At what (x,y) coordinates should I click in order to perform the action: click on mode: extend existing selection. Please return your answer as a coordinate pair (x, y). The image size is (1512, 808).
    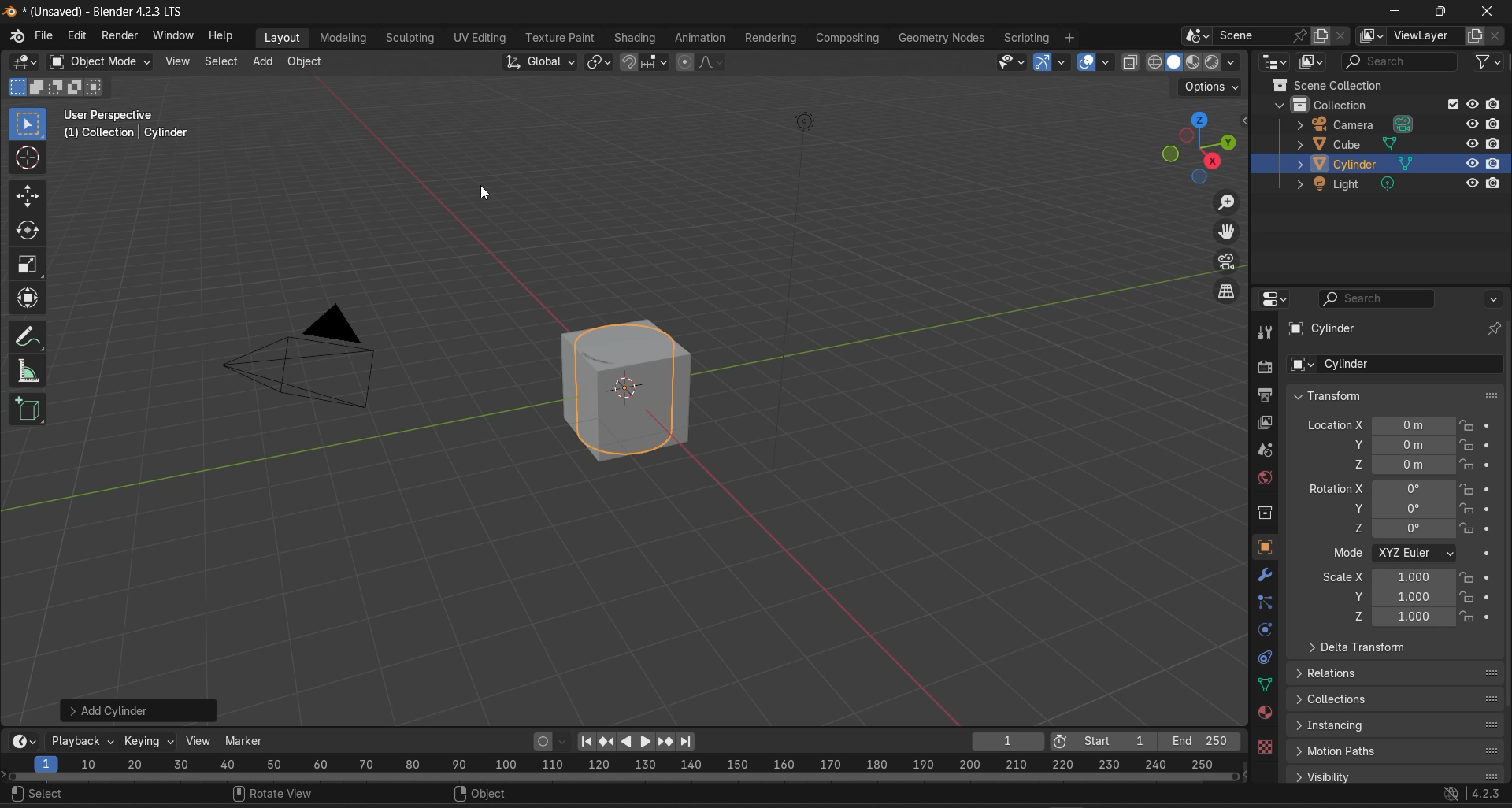
    Looking at the image, I should click on (36, 87).